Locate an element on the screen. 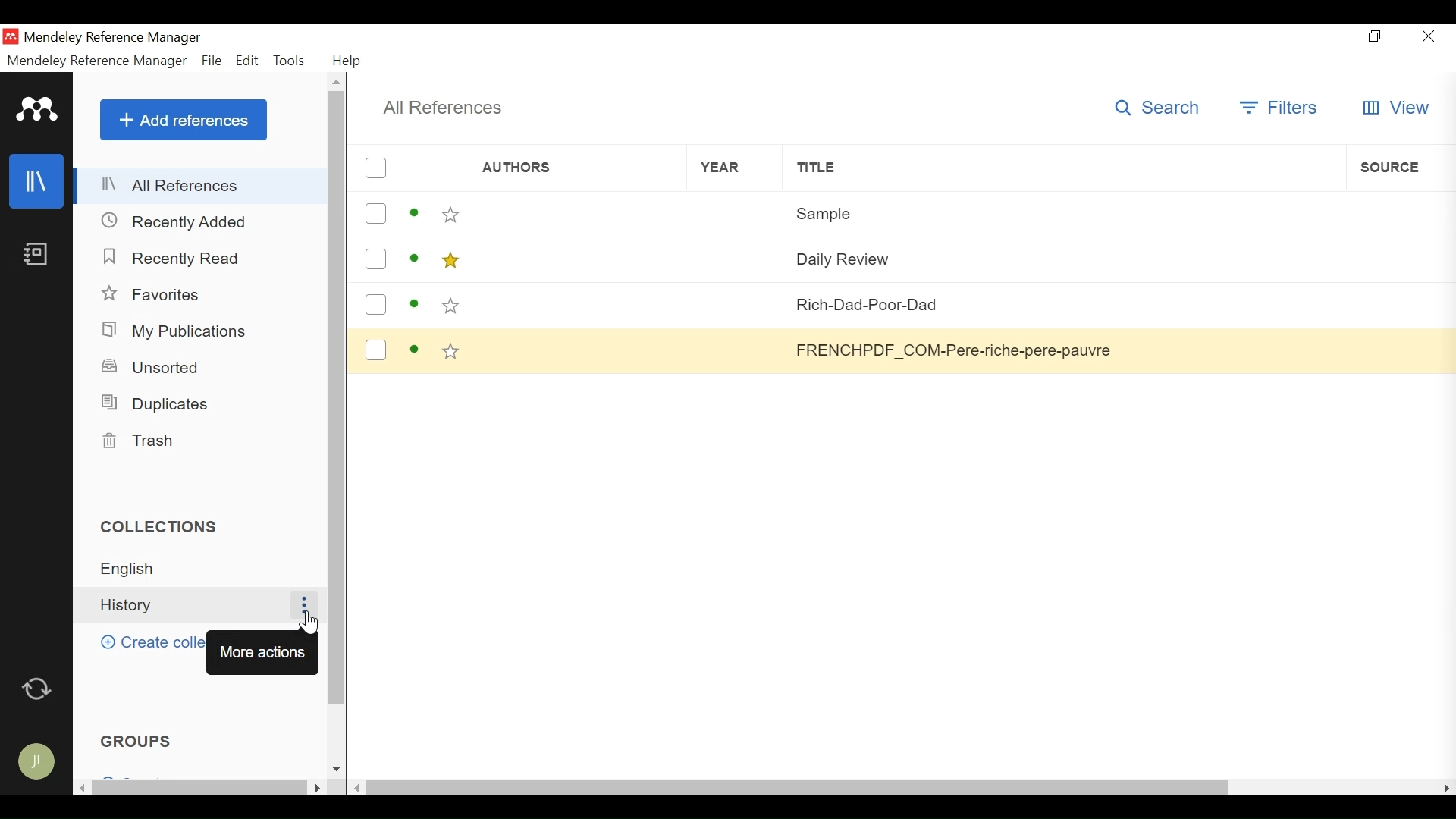  Restore is located at coordinates (1376, 37).